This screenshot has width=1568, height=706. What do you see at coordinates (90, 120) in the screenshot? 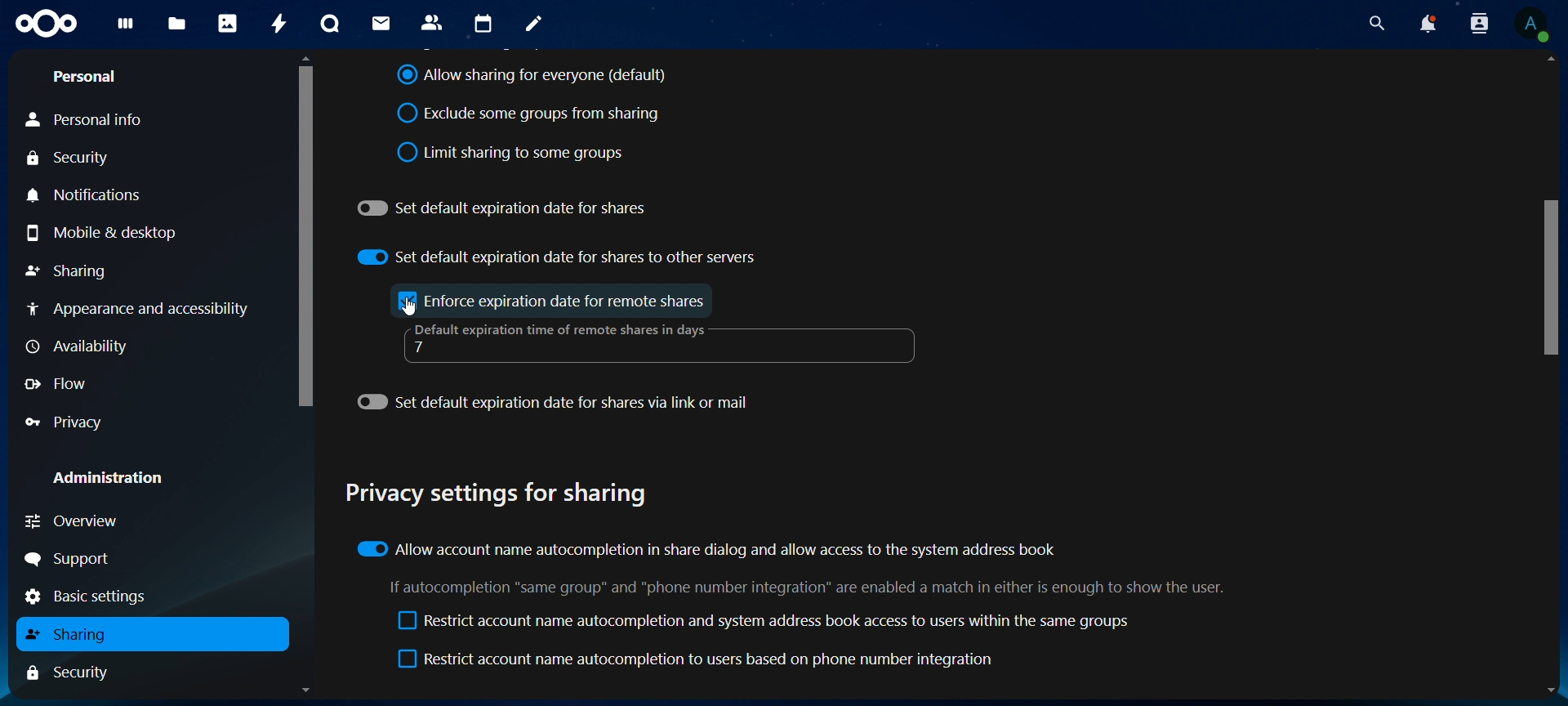
I see `personal info` at bounding box center [90, 120].